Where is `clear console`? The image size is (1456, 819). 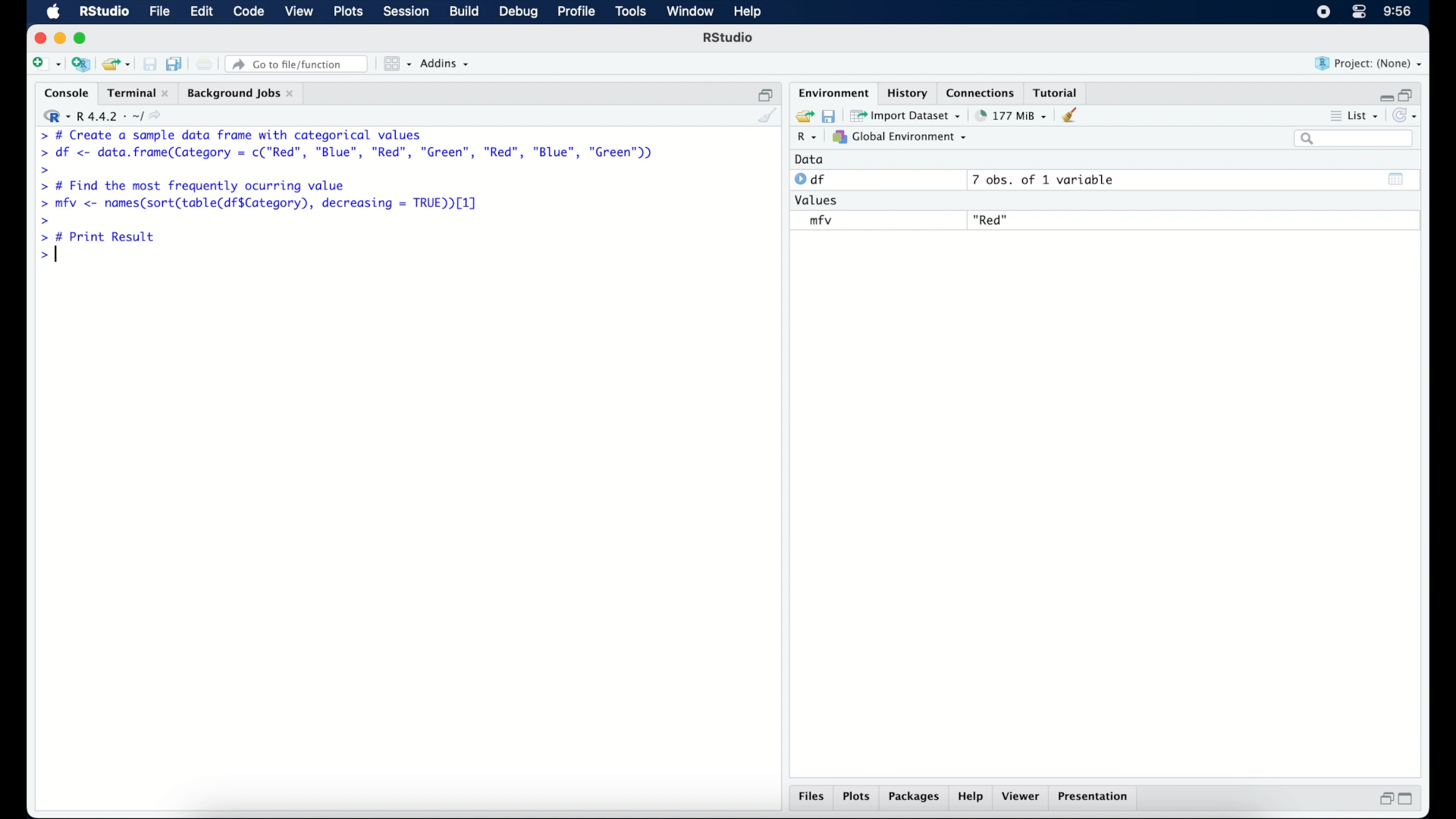
clear console is located at coordinates (768, 116).